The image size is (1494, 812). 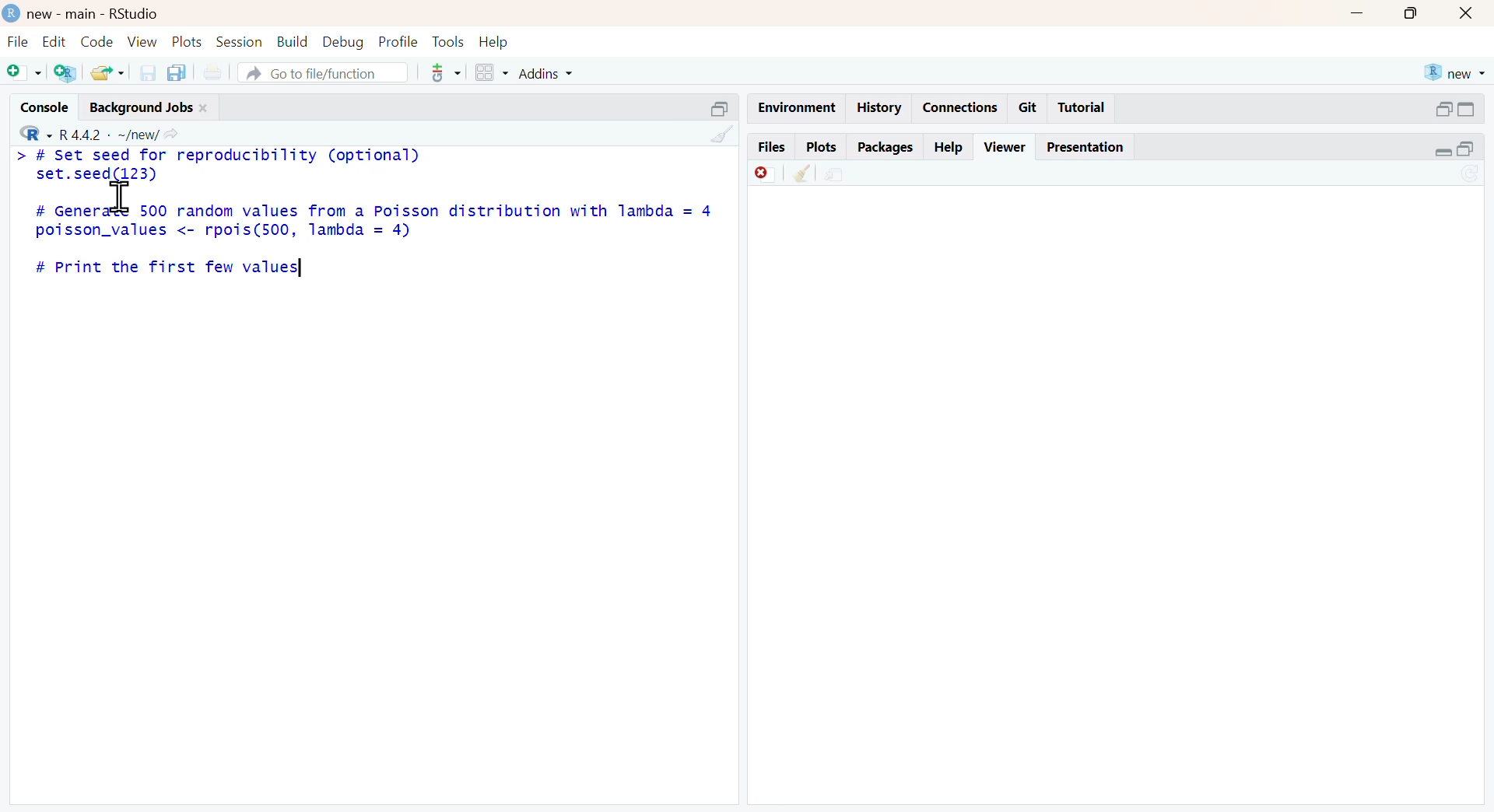 What do you see at coordinates (293, 40) in the screenshot?
I see `build` at bounding box center [293, 40].